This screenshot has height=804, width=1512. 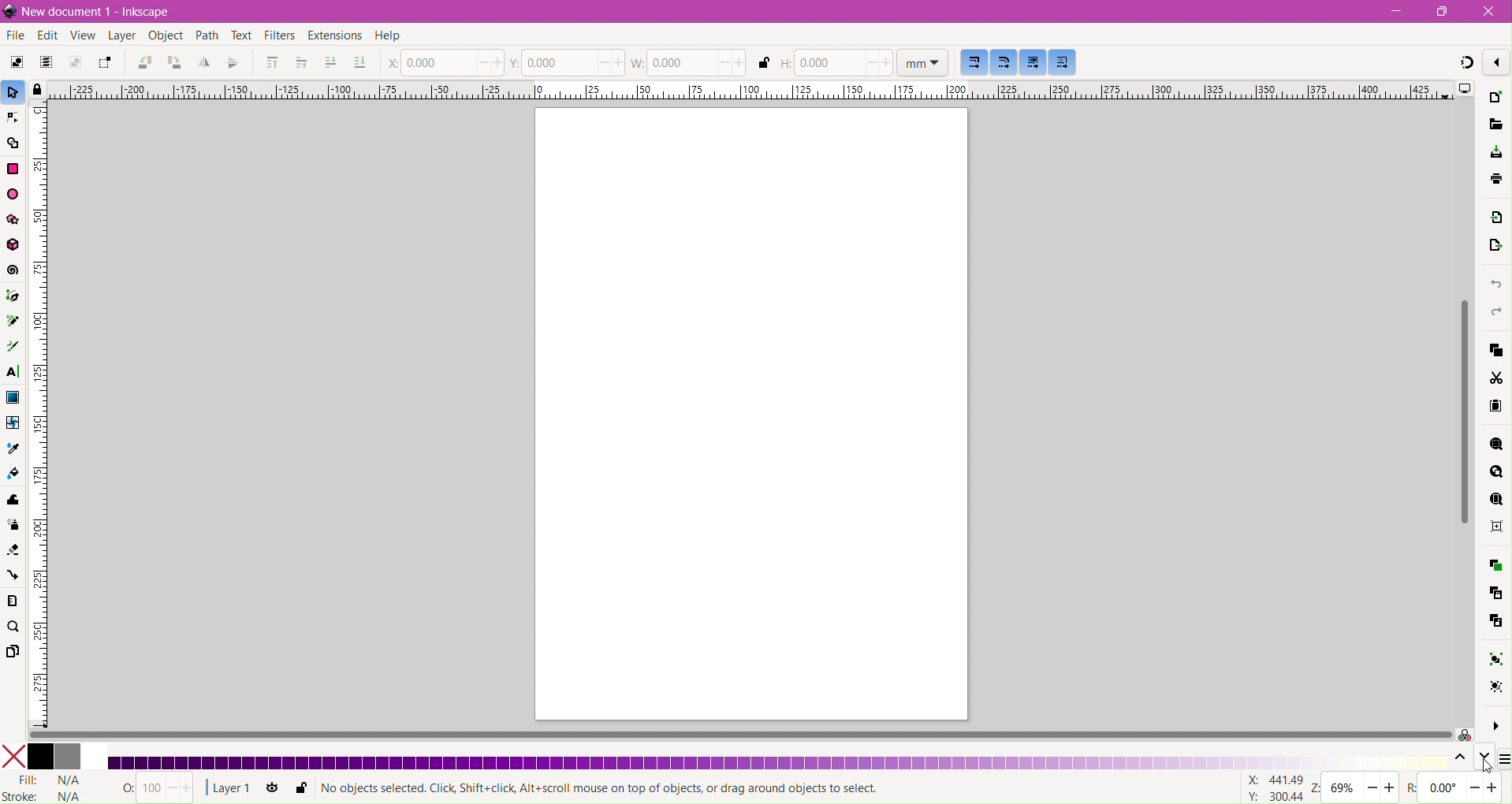 I want to click on When locked, change both width and height by the same proportion , so click(x=764, y=64).